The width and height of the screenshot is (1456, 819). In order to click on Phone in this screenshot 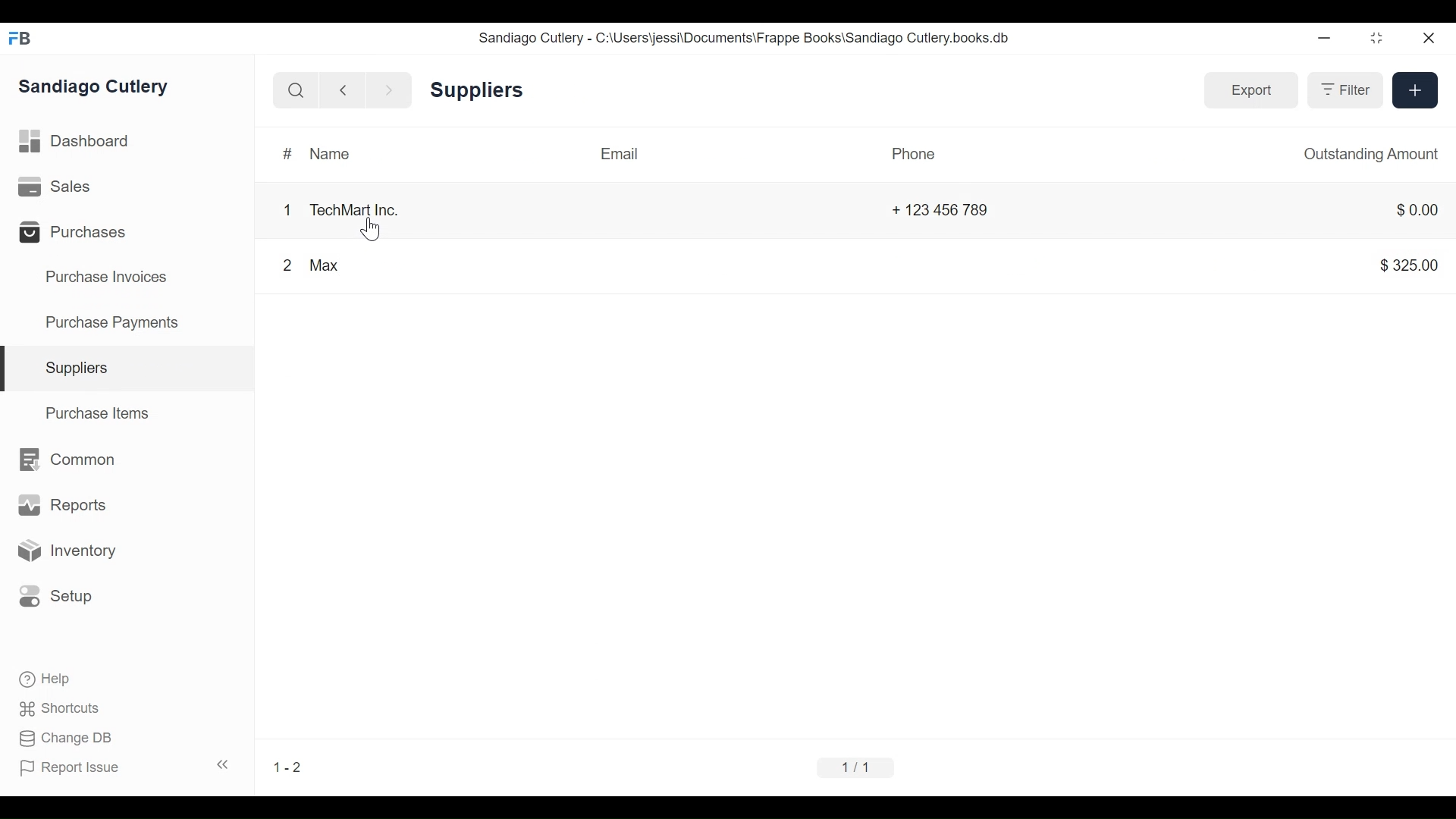, I will do `click(918, 157)`.